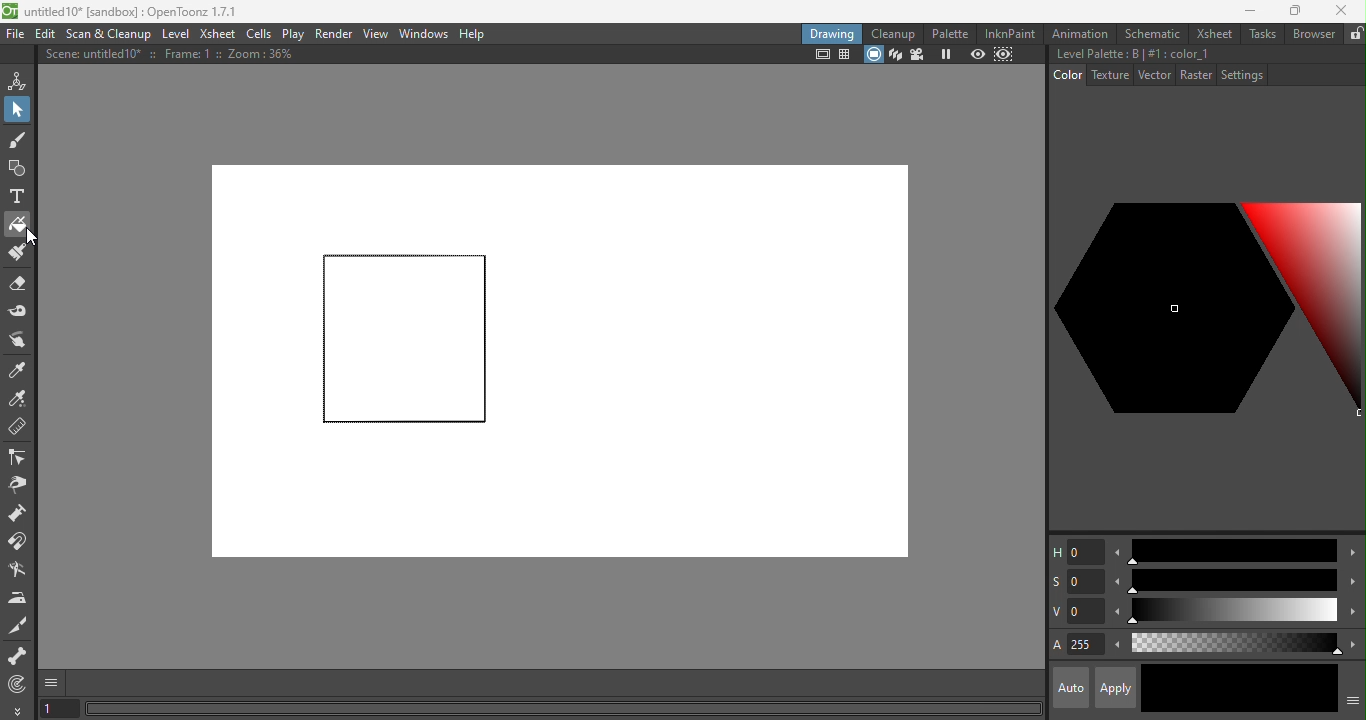 Image resolution: width=1366 pixels, height=720 pixels. What do you see at coordinates (22, 626) in the screenshot?
I see `Cutter tool` at bounding box center [22, 626].